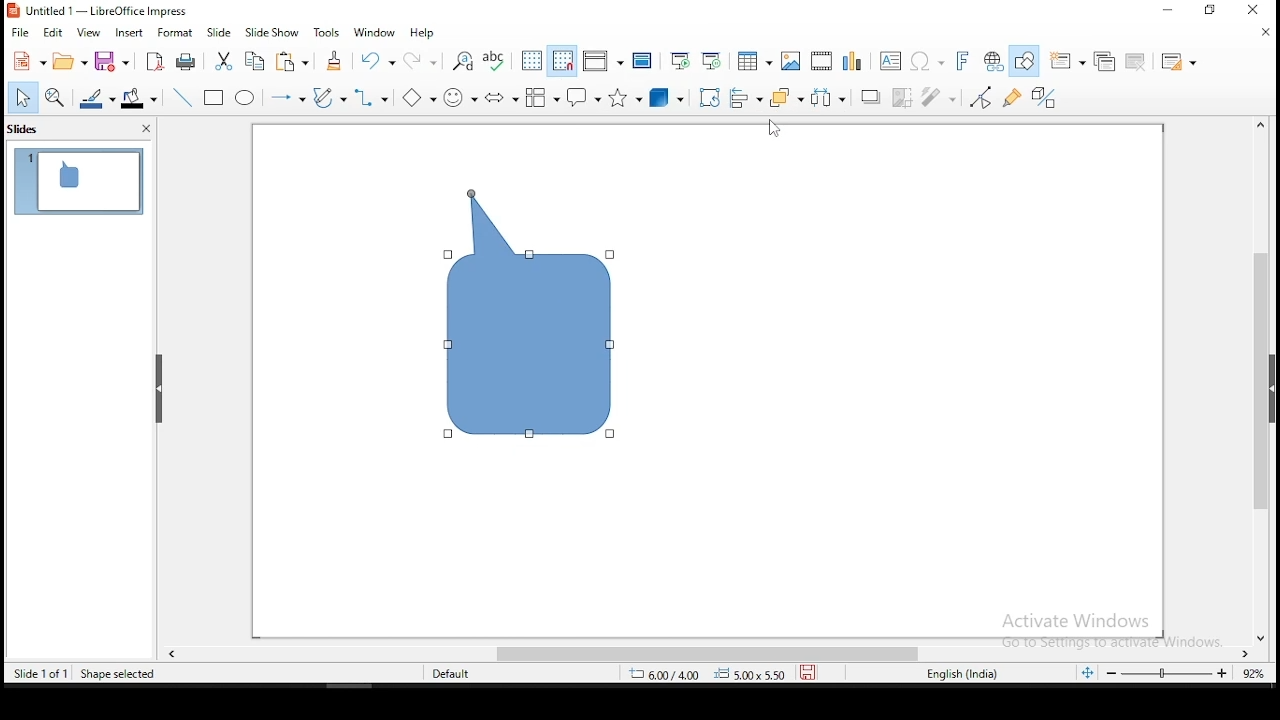 The height and width of the screenshot is (720, 1280). What do you see at coordinates (1013, 98) in the screenshot?
I see `show gluepoint functions` at bounding box center [1013, 98].